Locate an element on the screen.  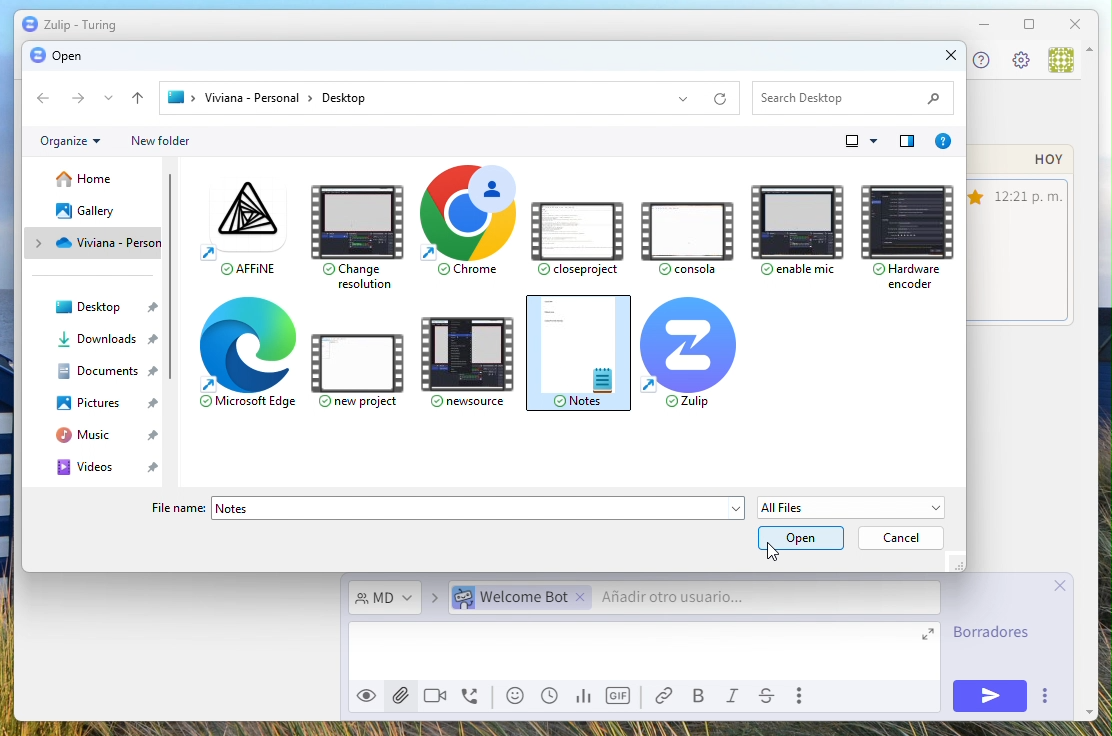
organize is located at coordinates (70, 141).